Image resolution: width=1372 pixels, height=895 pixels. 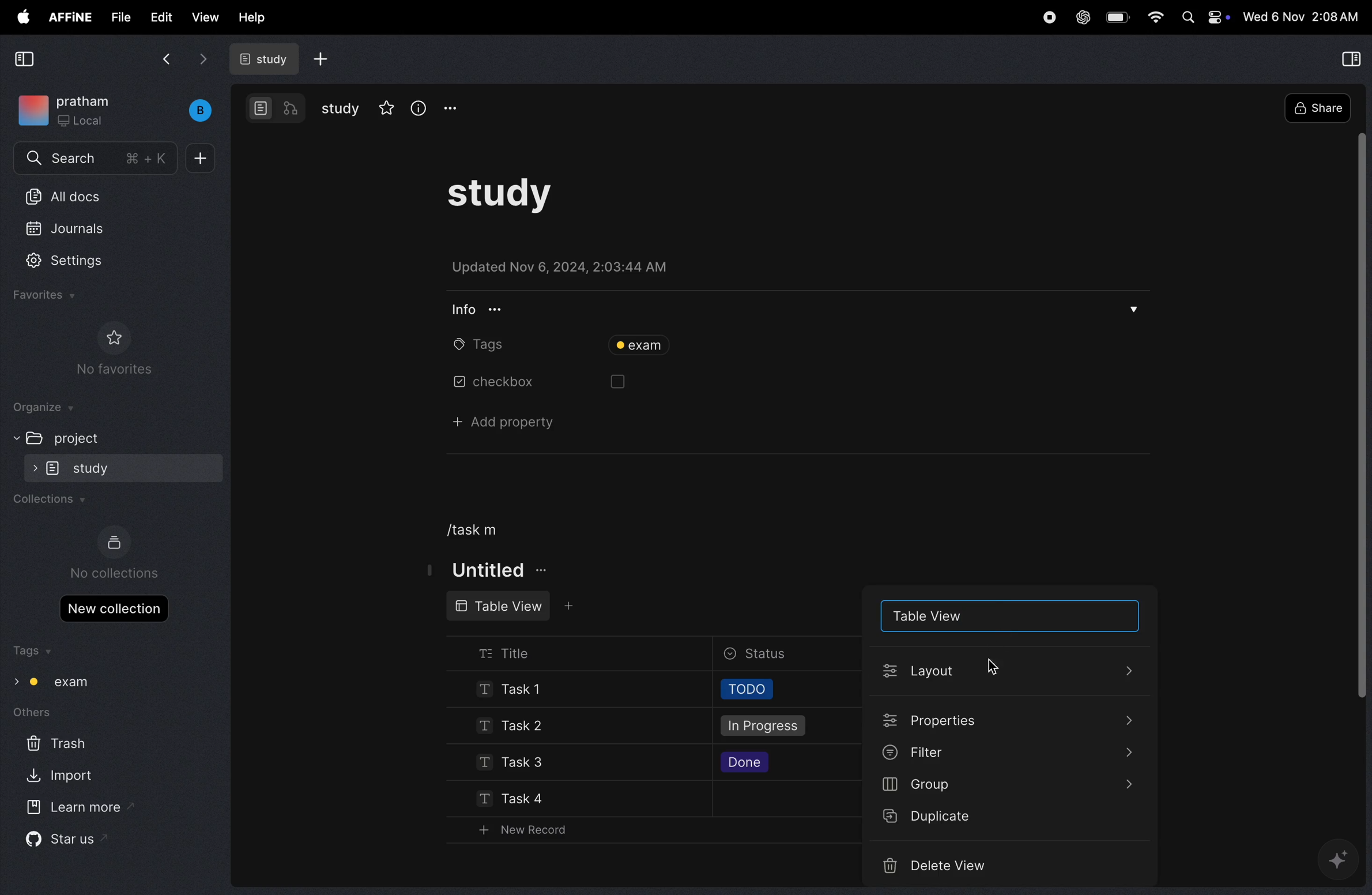 I want to click on gemini, so click(x=1338, y=858).